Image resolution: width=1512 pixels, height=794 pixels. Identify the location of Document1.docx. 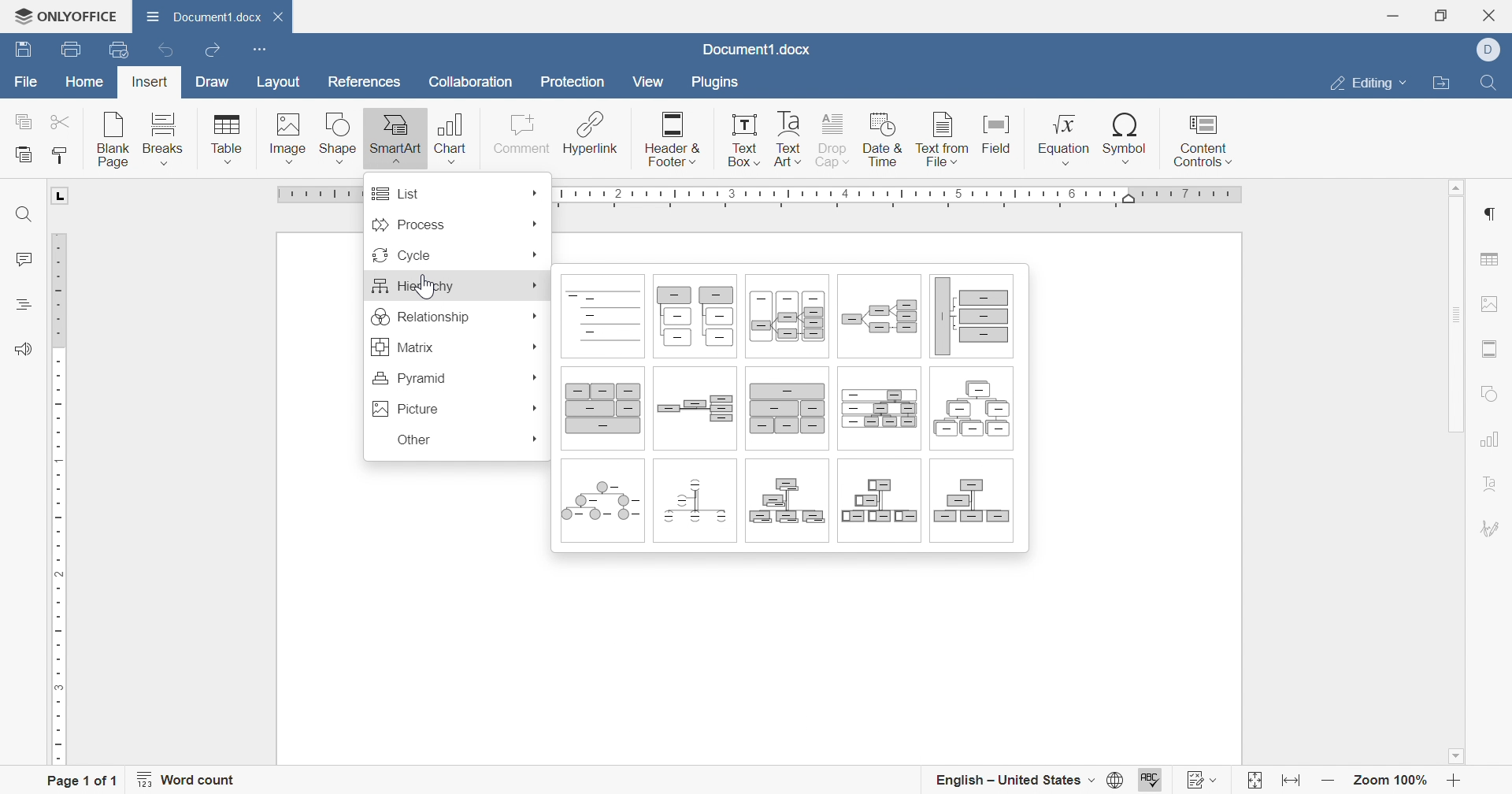
(754, 49).